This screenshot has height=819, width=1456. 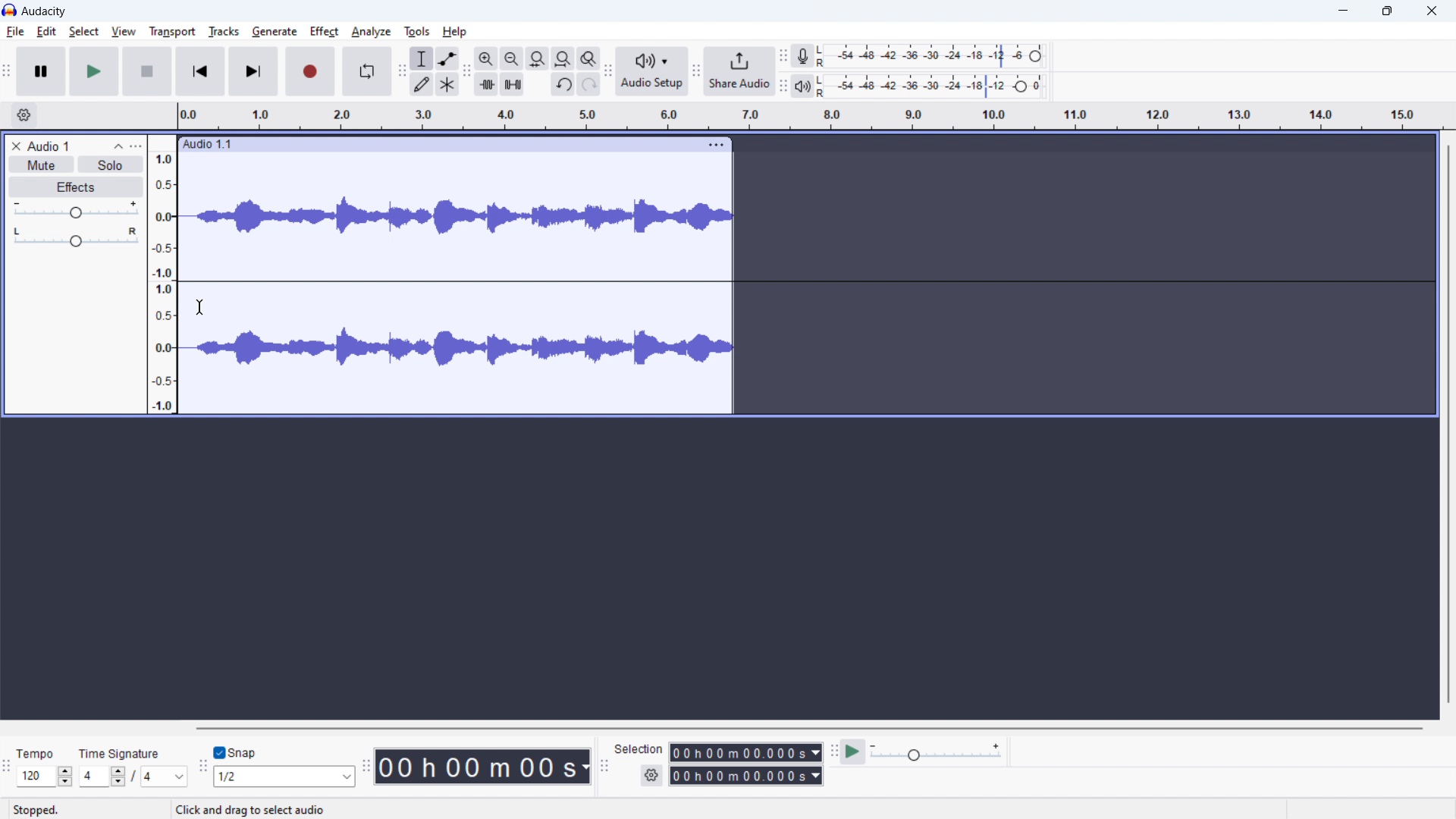 I want to click on playback meter, so click(x=807, y=84).